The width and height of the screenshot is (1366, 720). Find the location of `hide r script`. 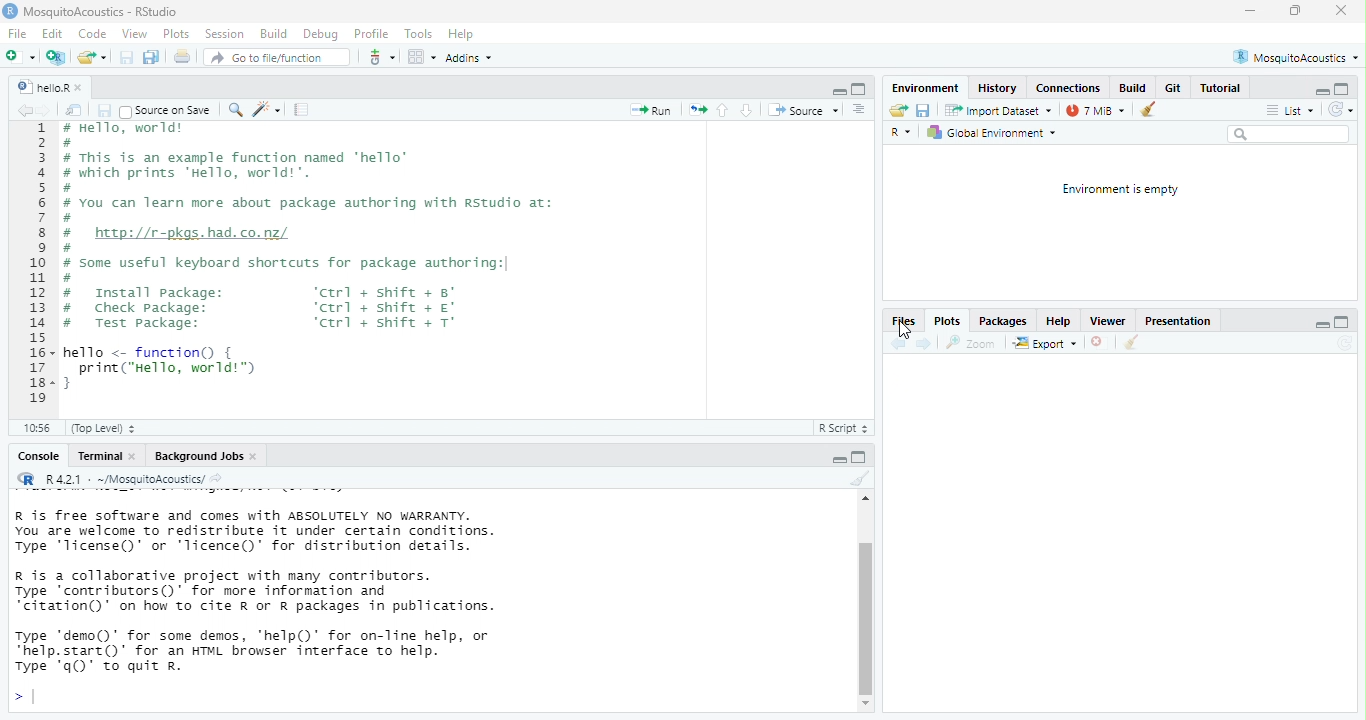

hide r script is located at coordinates (835, 88).